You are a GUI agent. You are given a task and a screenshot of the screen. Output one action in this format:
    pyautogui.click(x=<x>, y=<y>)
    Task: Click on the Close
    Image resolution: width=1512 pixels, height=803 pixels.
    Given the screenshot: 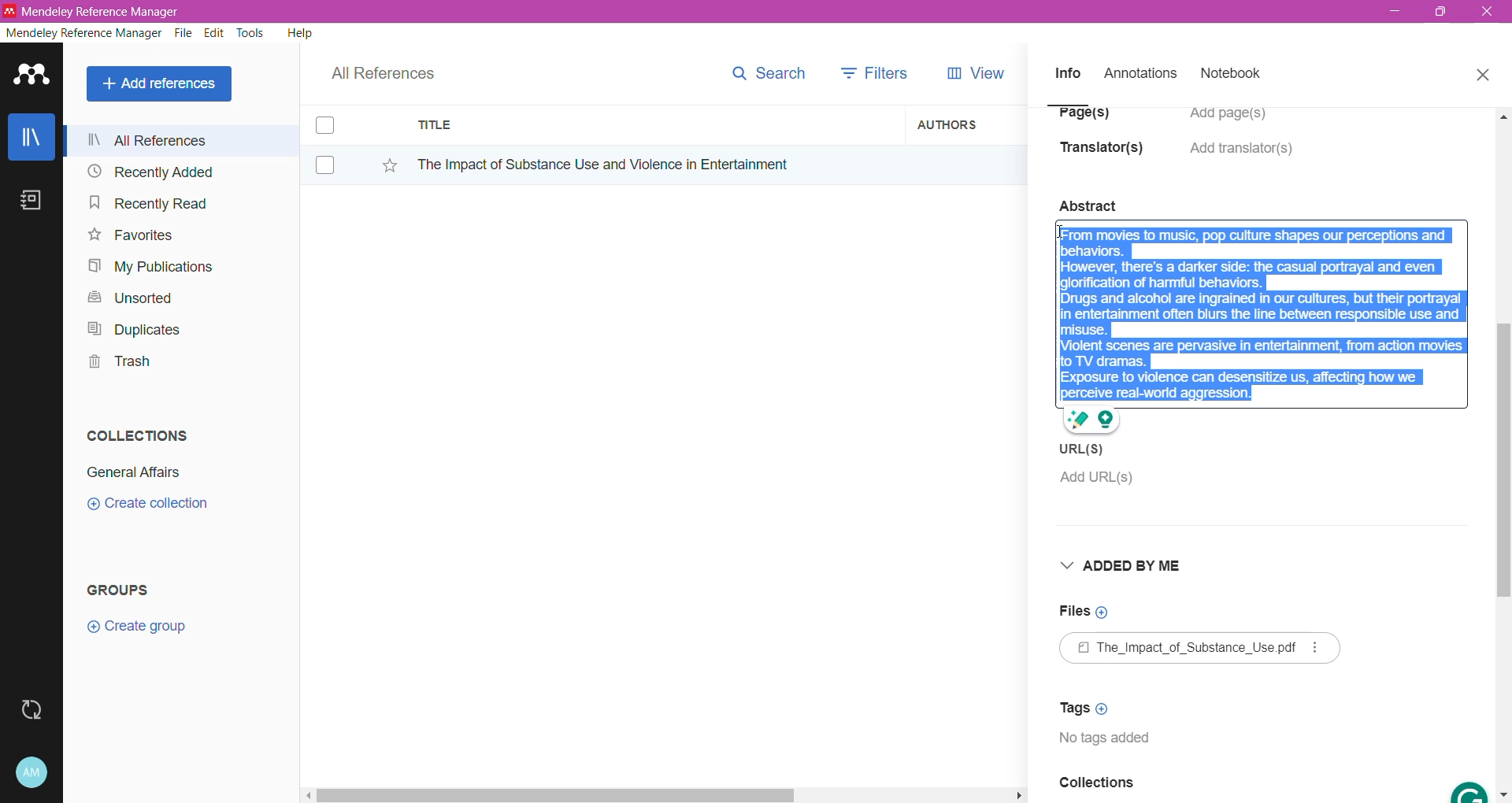 What is the action you would take?
    pyautogui.click(x=1482, y=72)
    